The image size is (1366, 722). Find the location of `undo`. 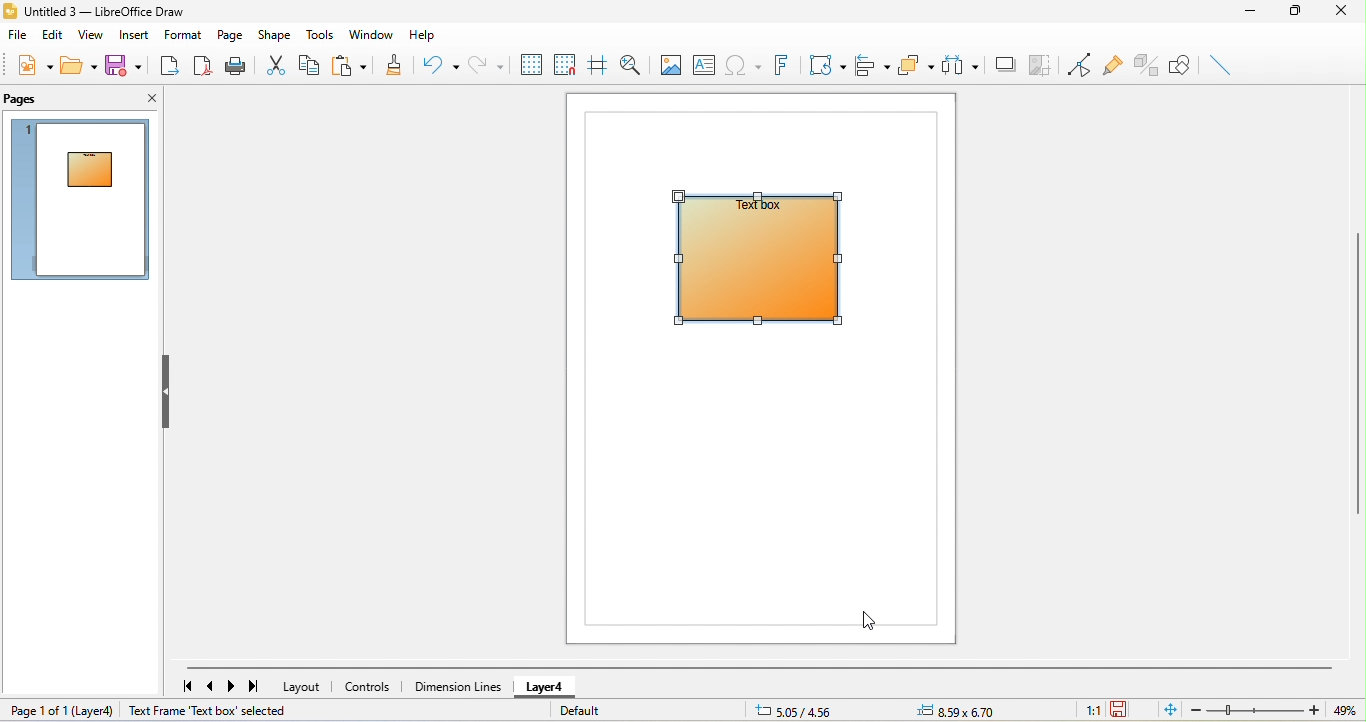

undo is located at coordinates (439, 64).